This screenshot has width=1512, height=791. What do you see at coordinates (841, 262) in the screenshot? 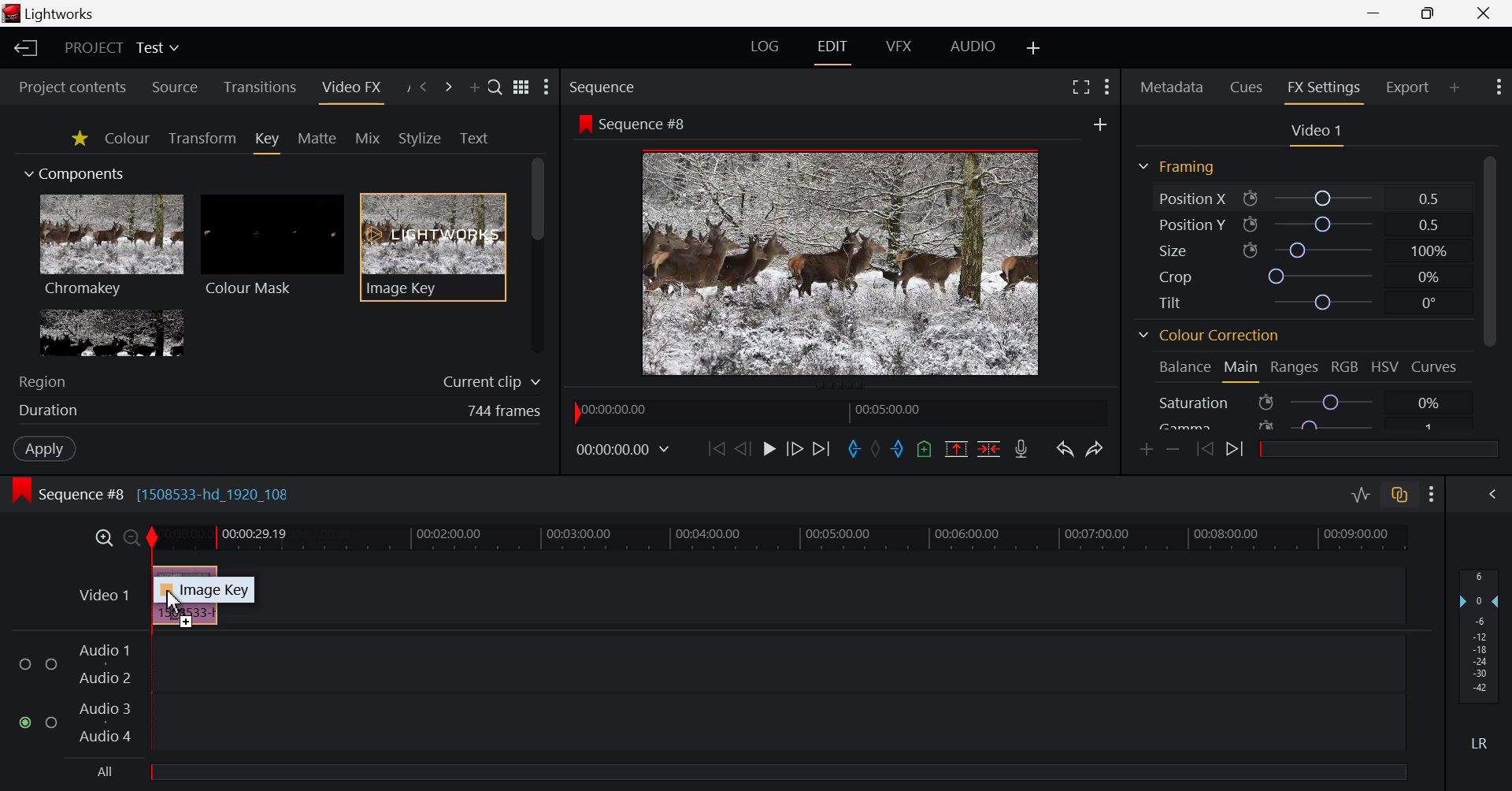
I see `Sequence Preview Screen` at bounding box center [841, 262].